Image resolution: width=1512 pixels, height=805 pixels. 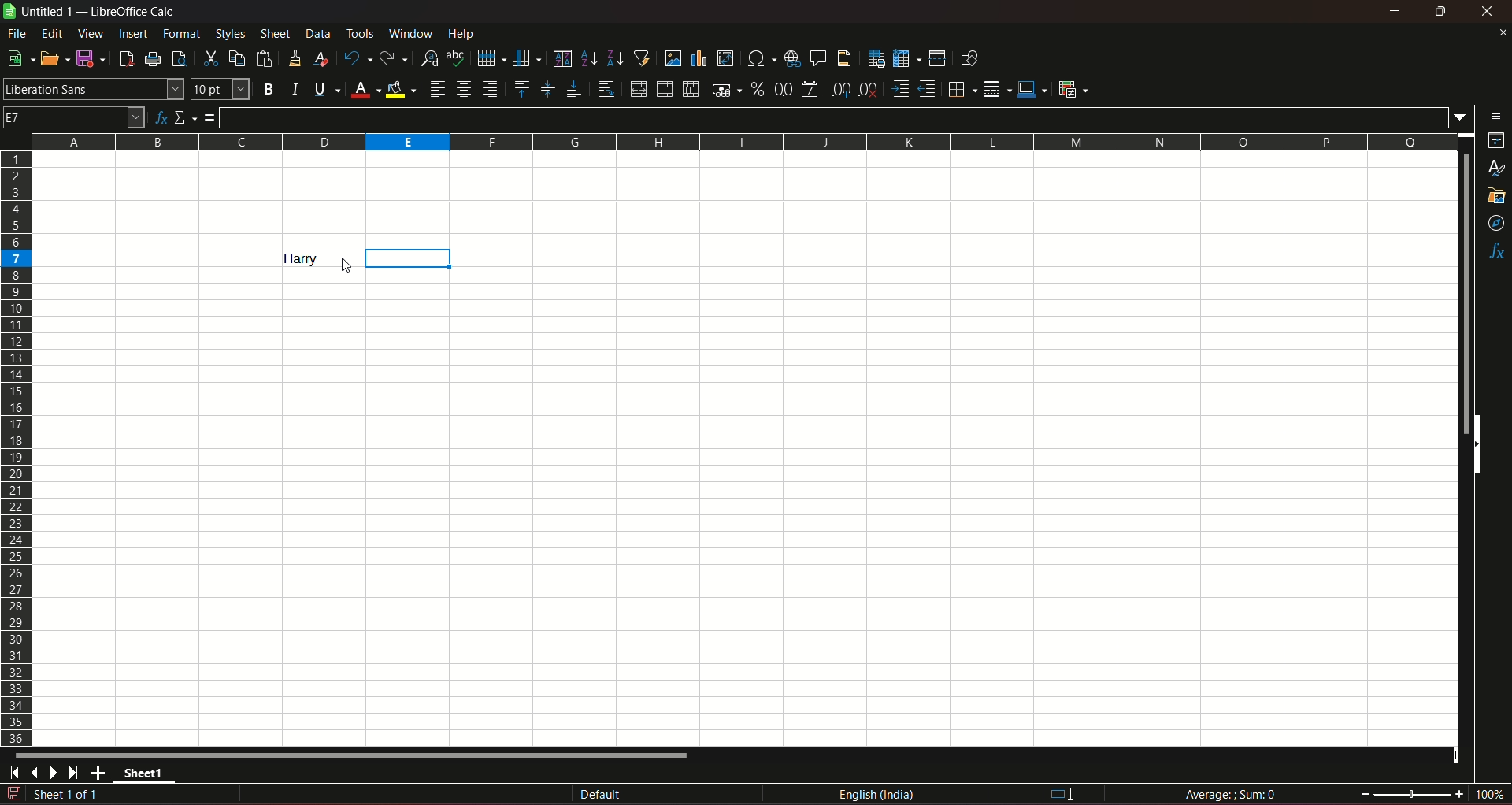 What do you see at coordinates (361, 33) in the screenshot?
I see `tools` at bounding box center [361, 33].